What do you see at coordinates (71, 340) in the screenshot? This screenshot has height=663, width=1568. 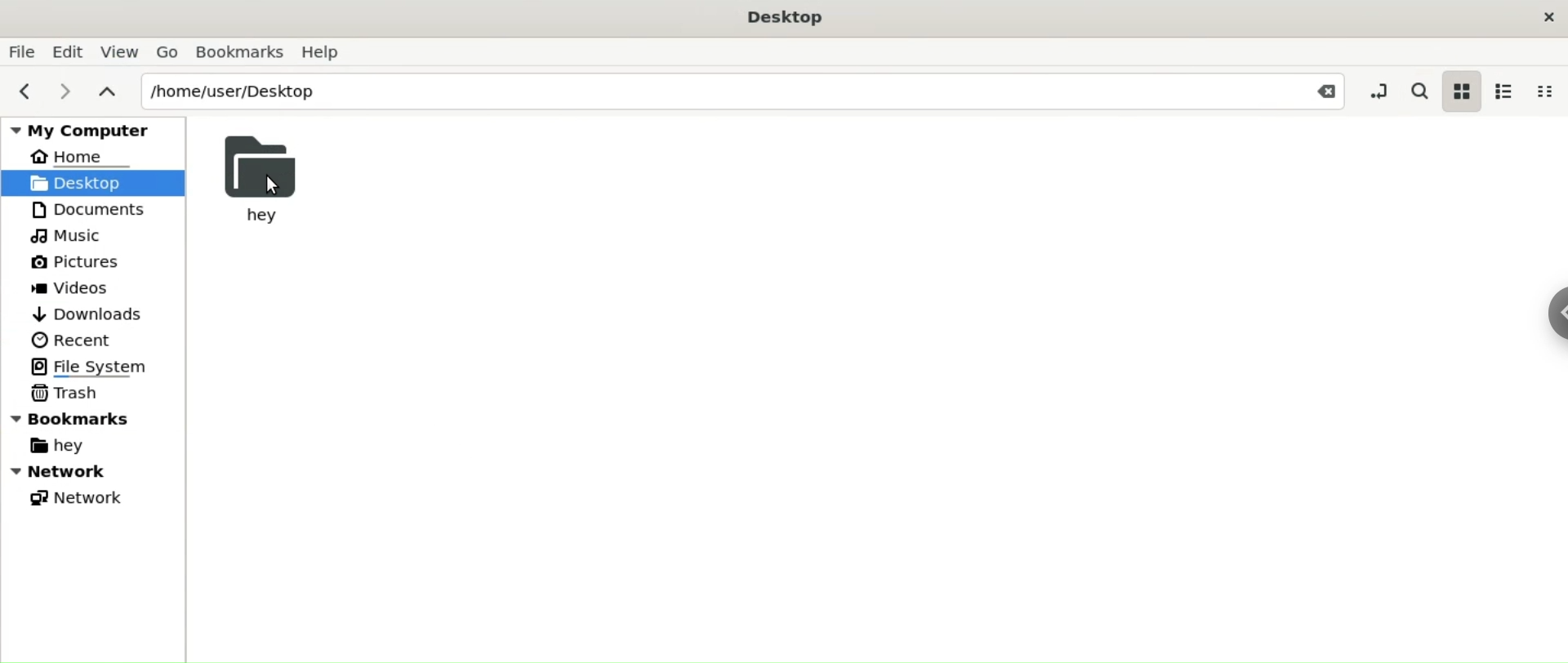 I see `Recent` at bounding box center [71, 340].